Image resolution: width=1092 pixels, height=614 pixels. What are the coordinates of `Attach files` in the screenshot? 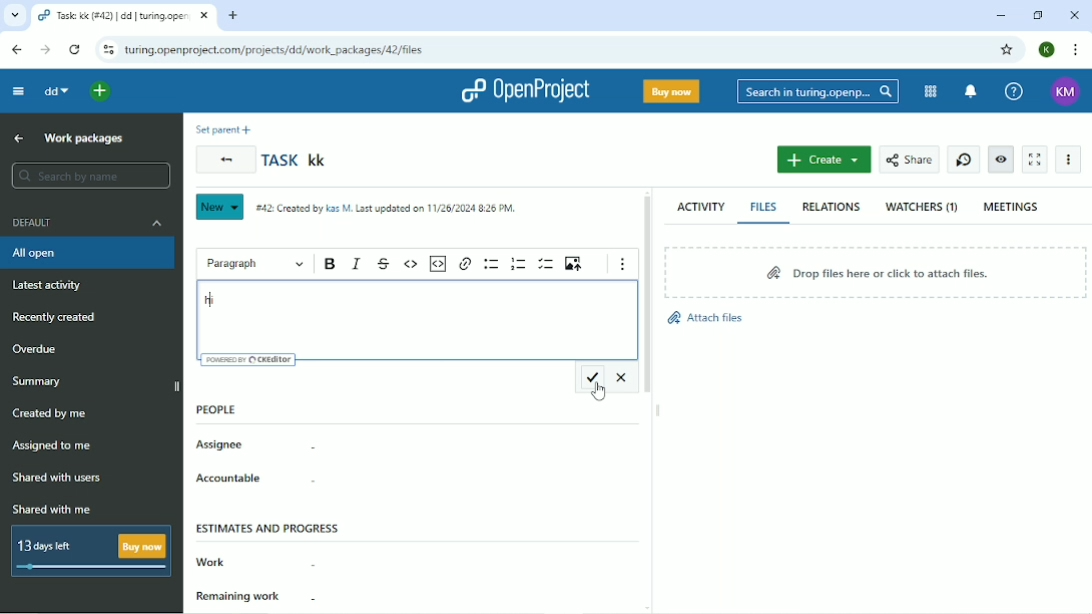 It's located at (709, 319).